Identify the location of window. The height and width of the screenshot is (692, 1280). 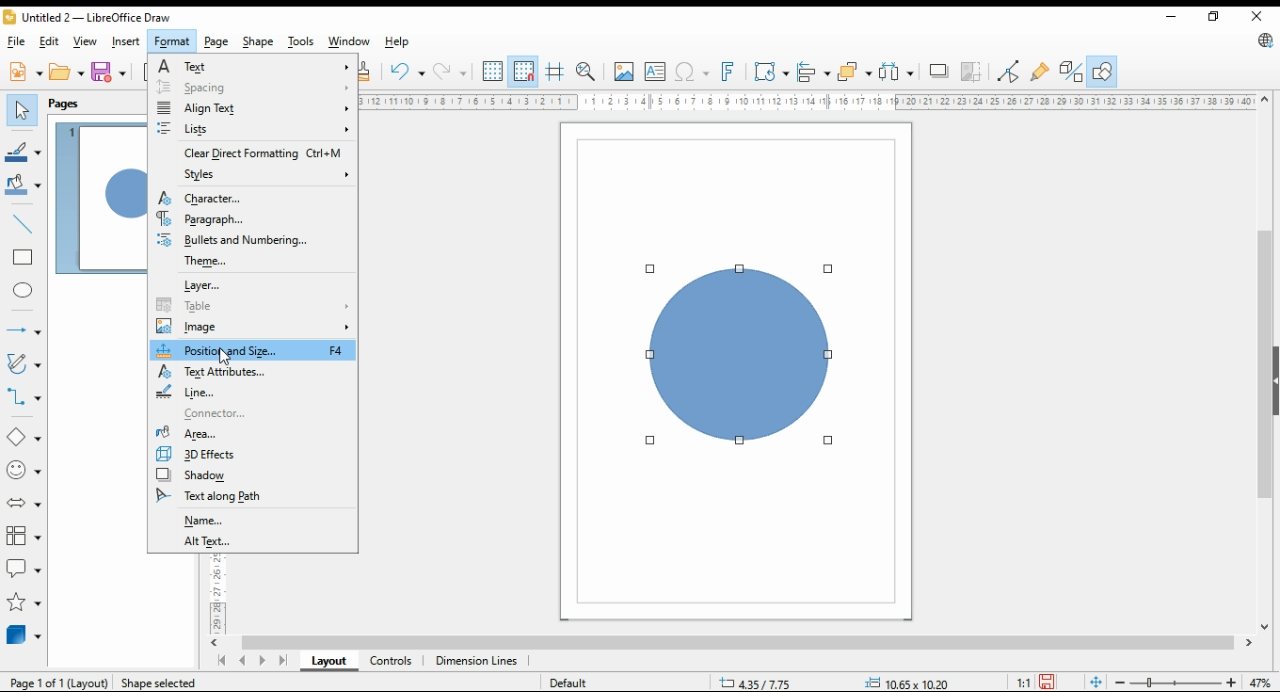
(349, 41).